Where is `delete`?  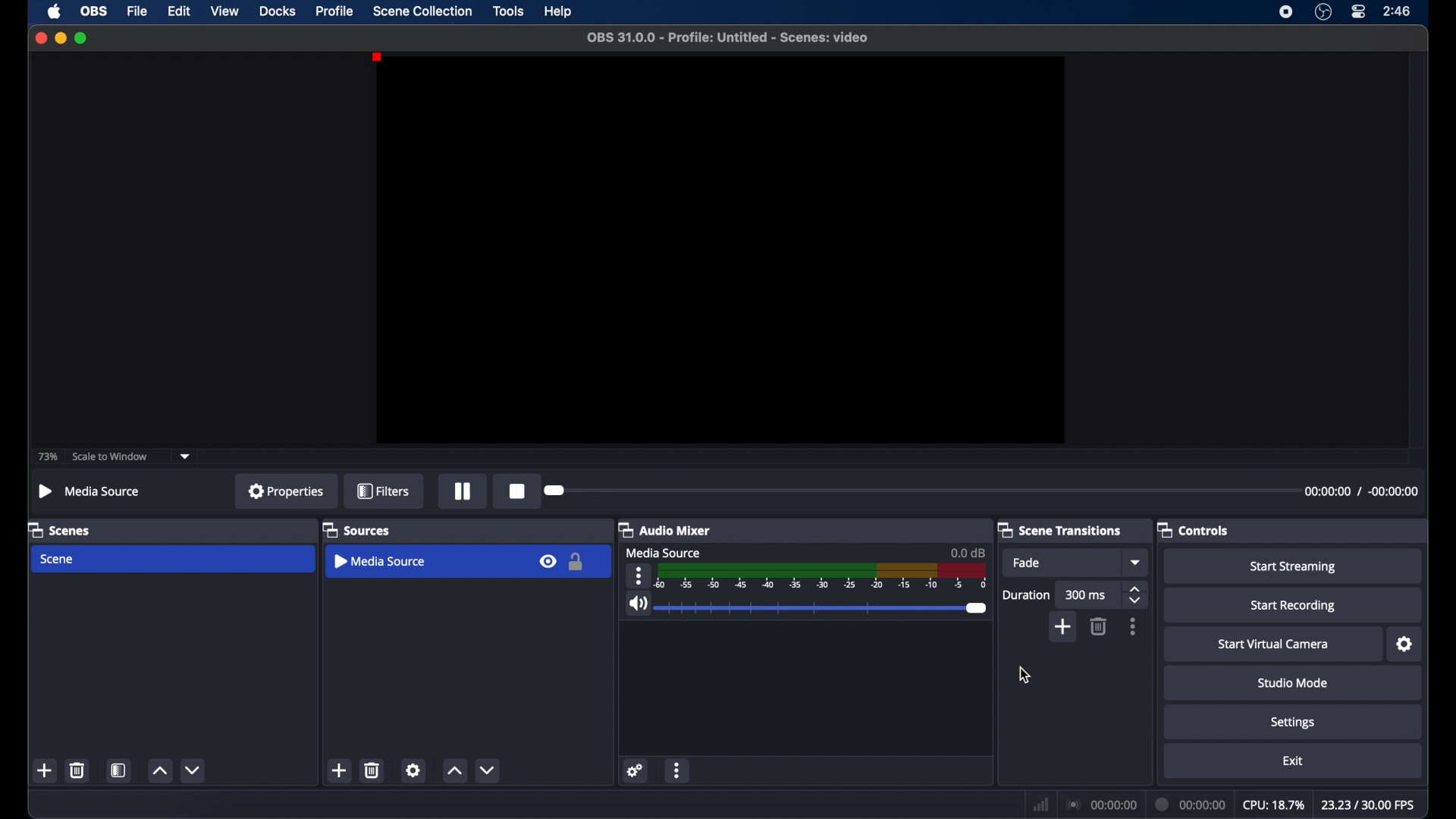 delete is located at coordinates (78, 770).